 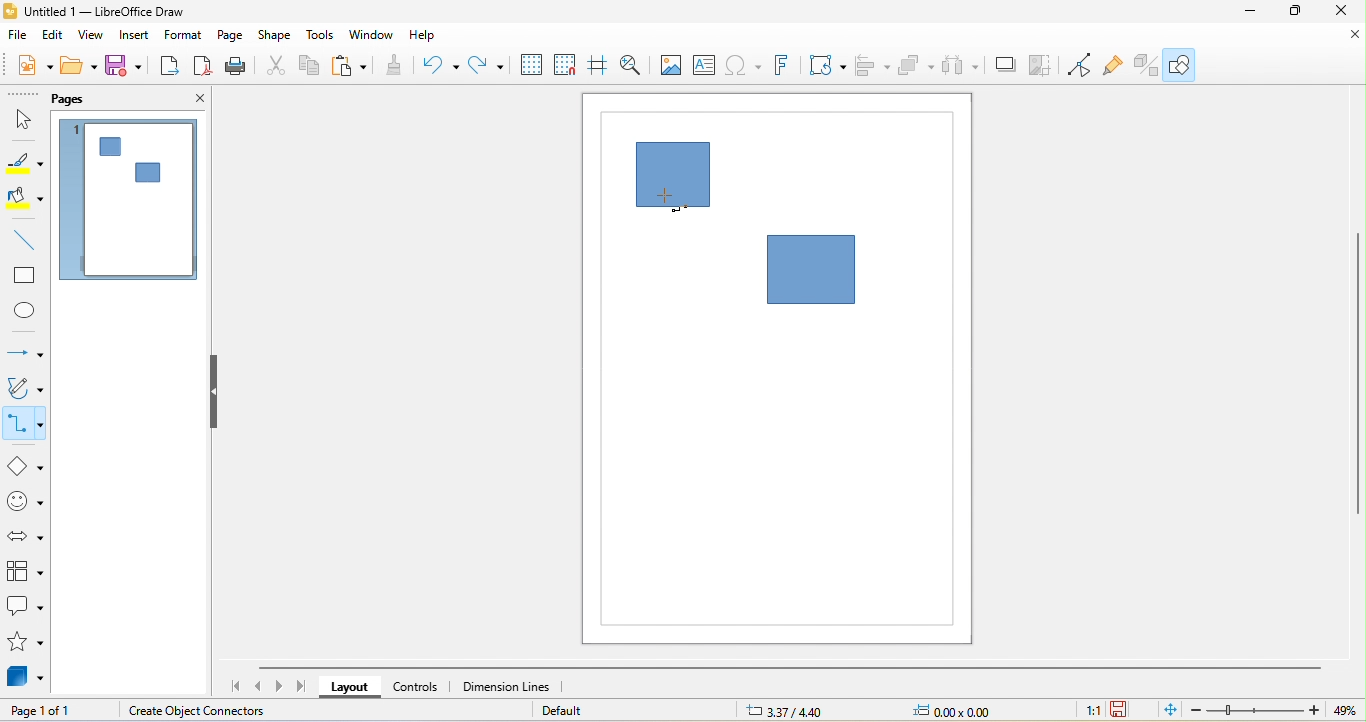 What do you see at coordinates (206, 66) in the screenshot?
I see `export directly as pdf` at bounding box center [206, 66].